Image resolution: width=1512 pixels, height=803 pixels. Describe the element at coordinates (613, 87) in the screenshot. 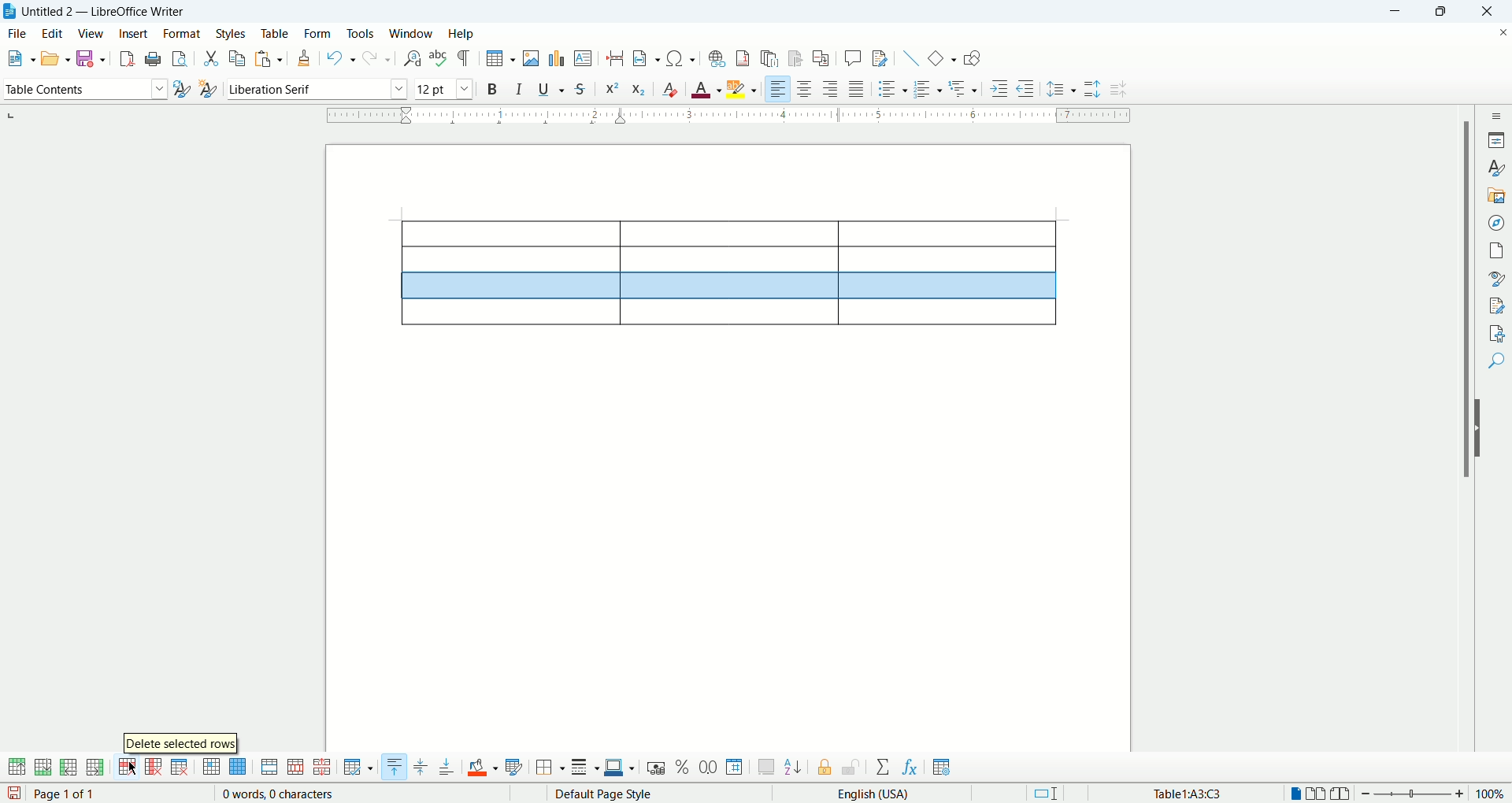

I see `superscript` at that location.